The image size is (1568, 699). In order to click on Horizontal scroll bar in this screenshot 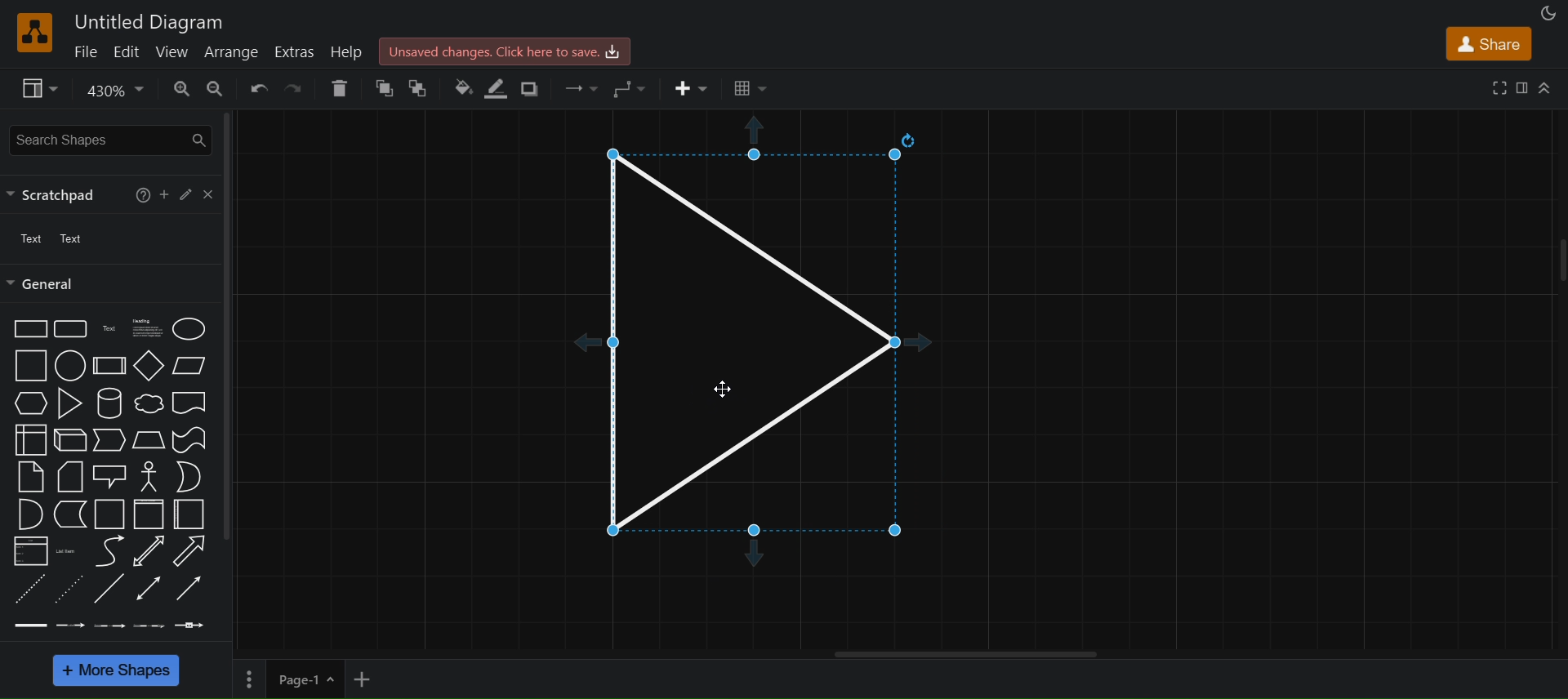, I will do `click(966, 654)`.